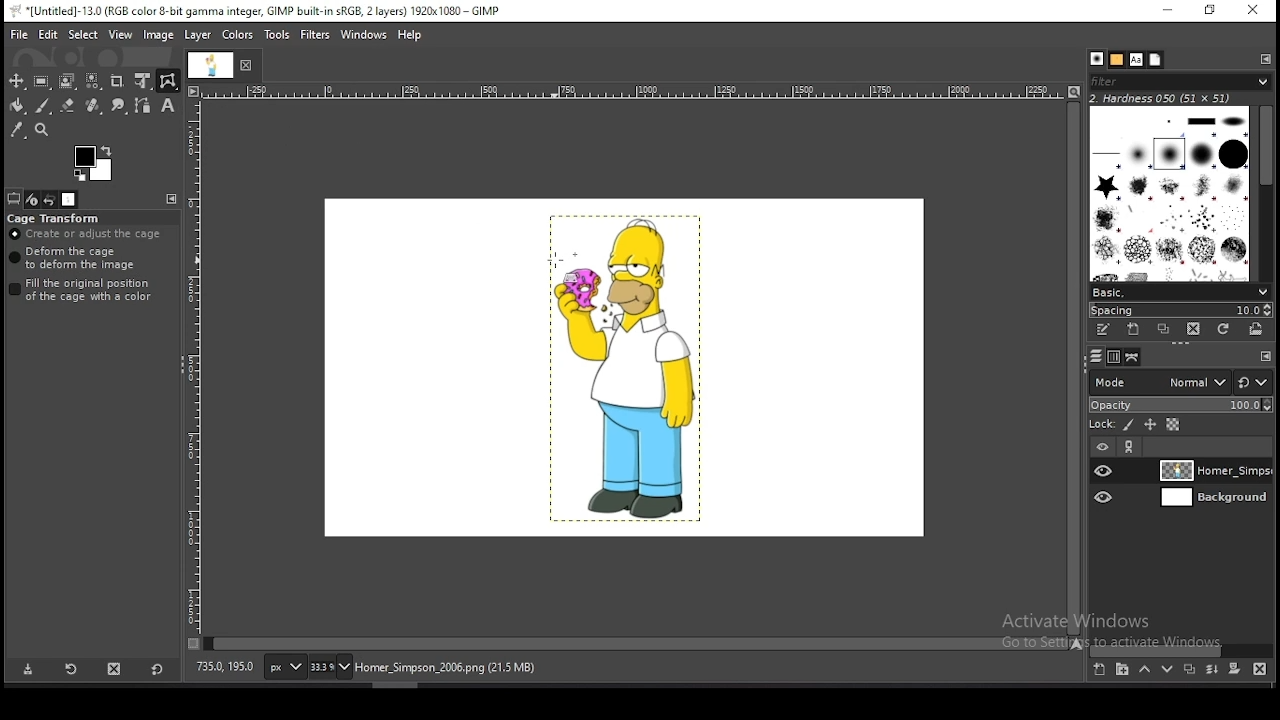  Describe the element at coordinates (28, 670) in the screenshot. I see `save tool preset` at that location.